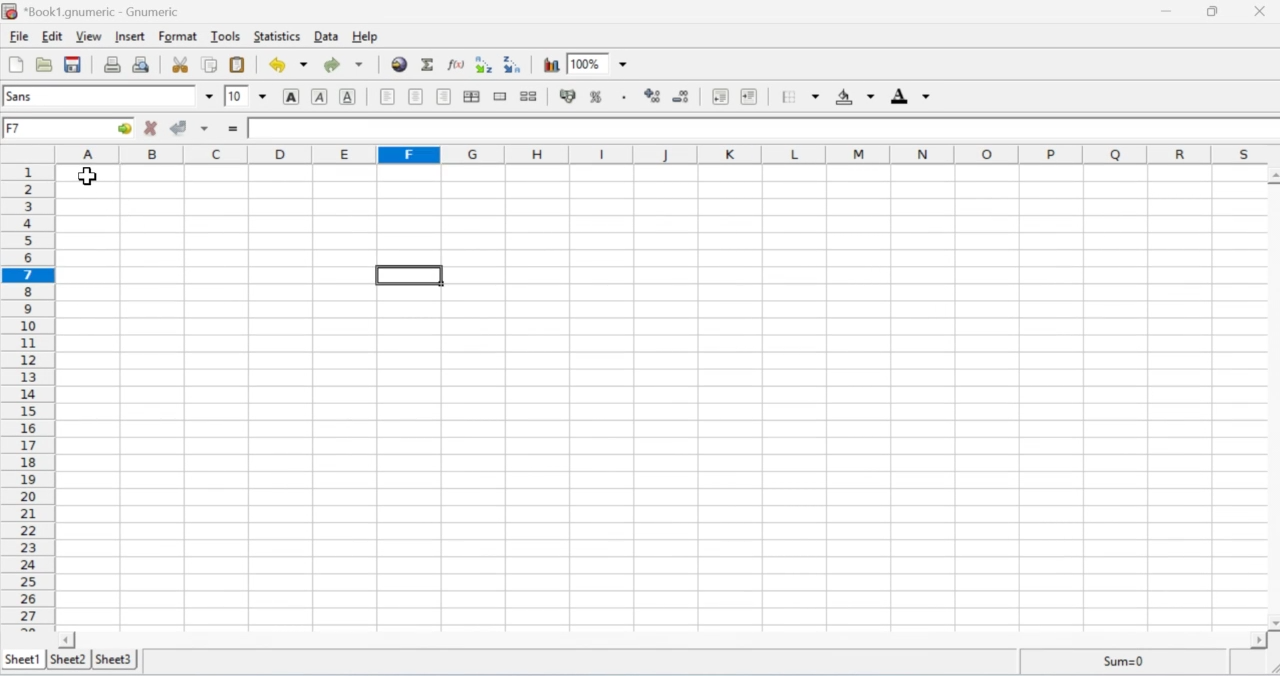 The height and width of the screenshot is (676, 1280). I want to click on Format the selection as percentage, so click(607, 97).